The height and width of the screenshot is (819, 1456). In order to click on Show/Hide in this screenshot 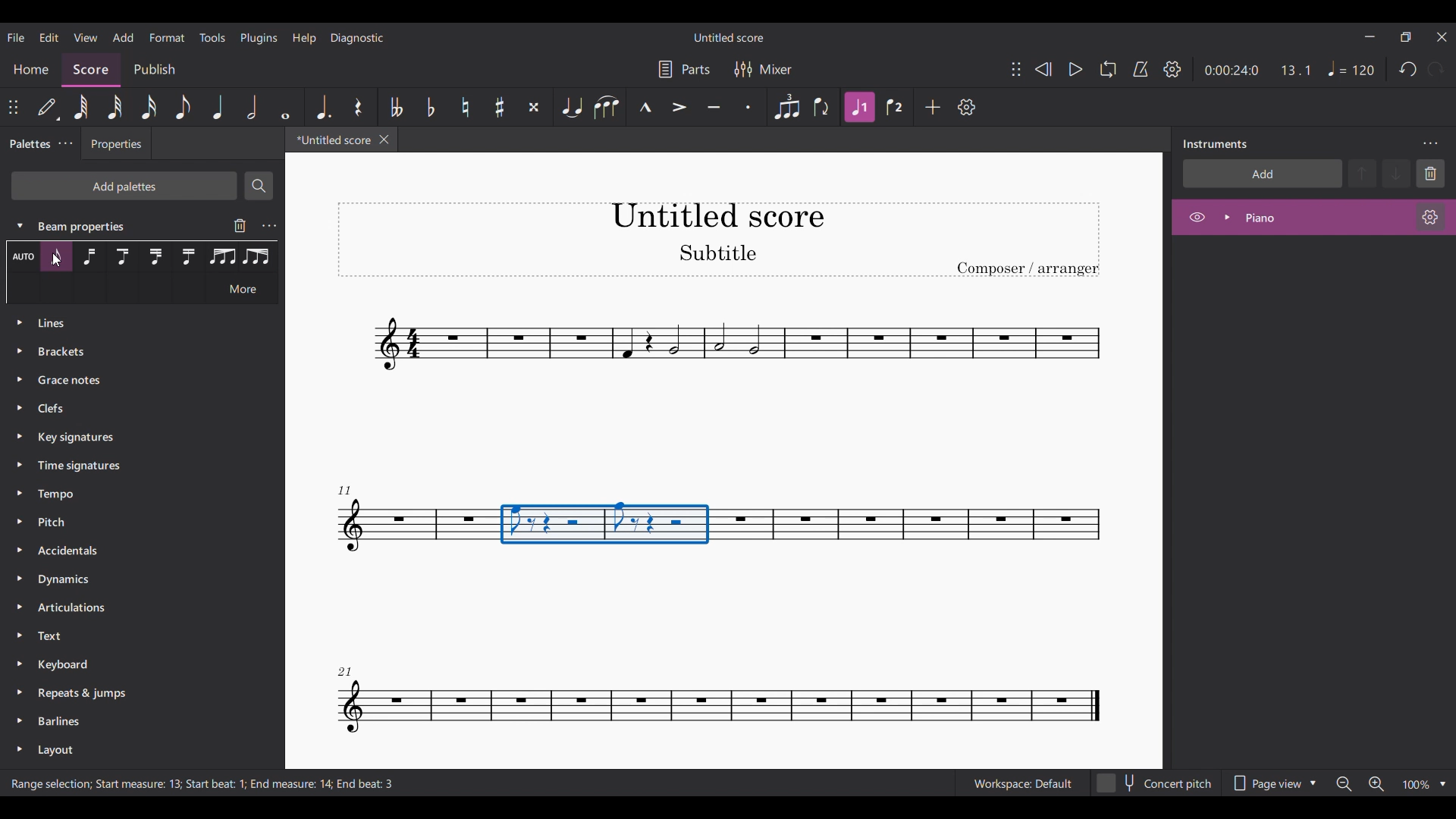, I will do `click(1197, 218)`.